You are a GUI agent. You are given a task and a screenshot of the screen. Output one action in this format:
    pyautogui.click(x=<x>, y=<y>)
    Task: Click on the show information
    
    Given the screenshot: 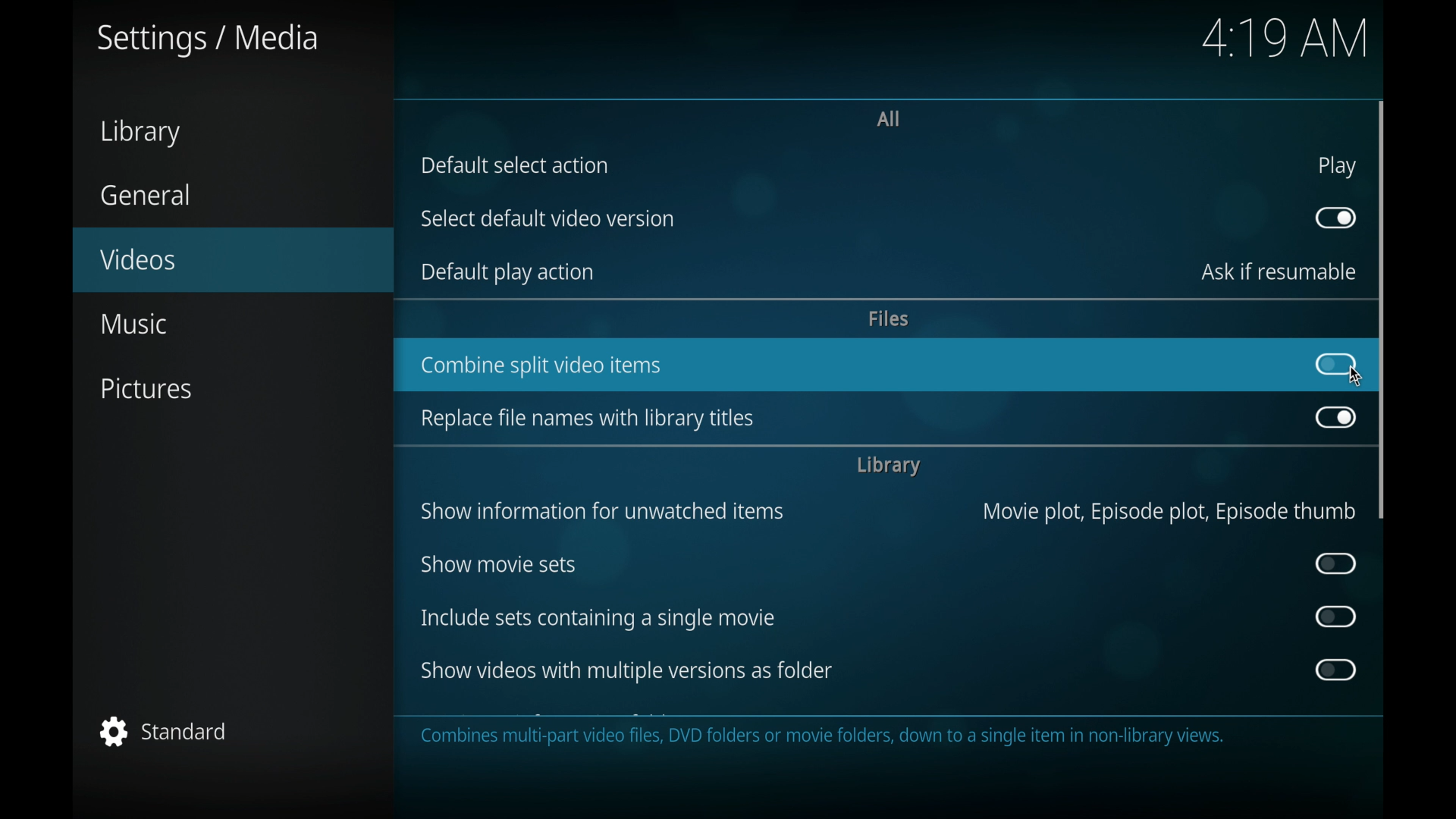 What is the action you would take?
    pyautogui.click(x=602, y=512)
    